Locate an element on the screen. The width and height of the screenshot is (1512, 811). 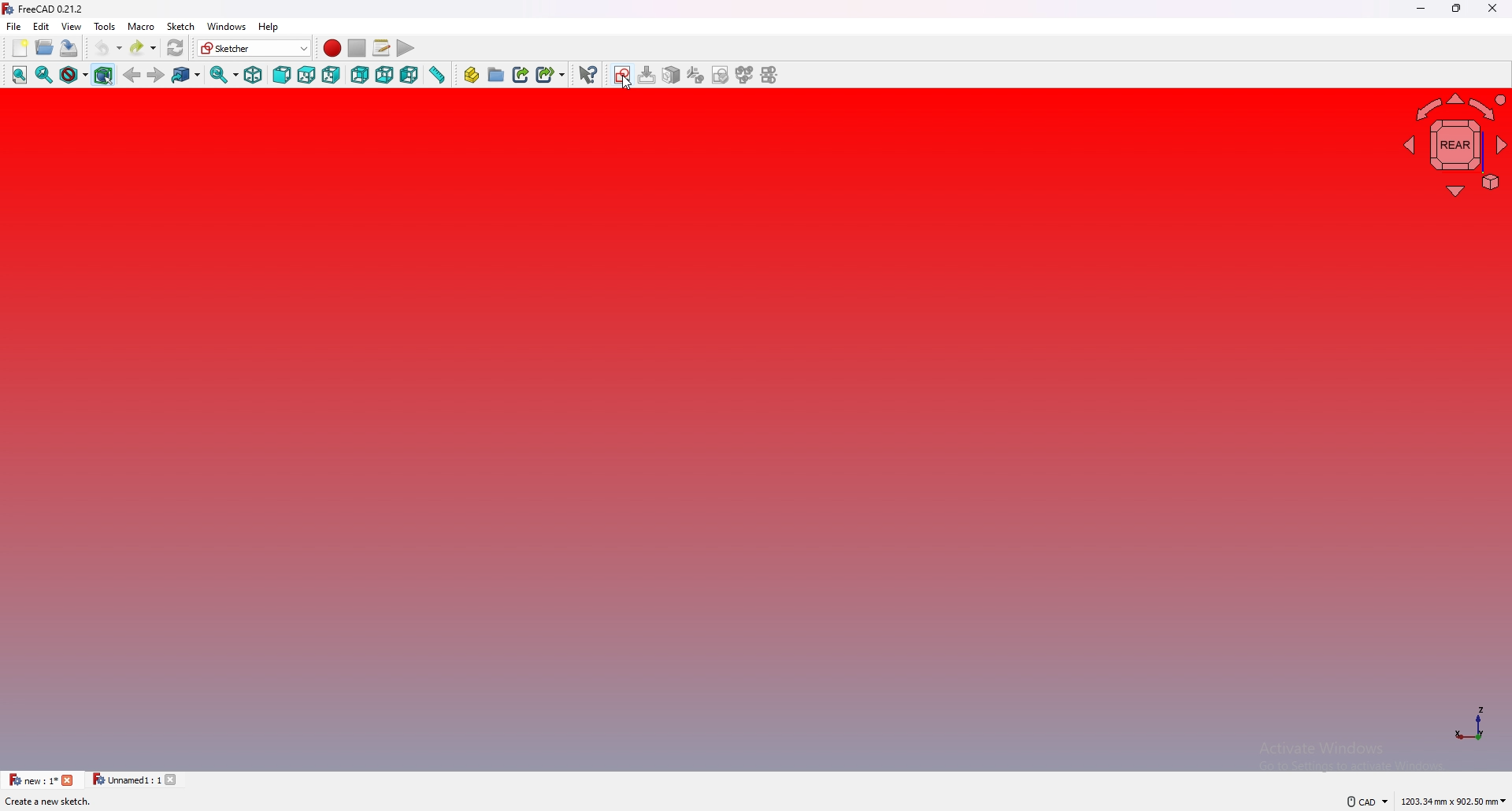
left is located at coordinates (410, 75).